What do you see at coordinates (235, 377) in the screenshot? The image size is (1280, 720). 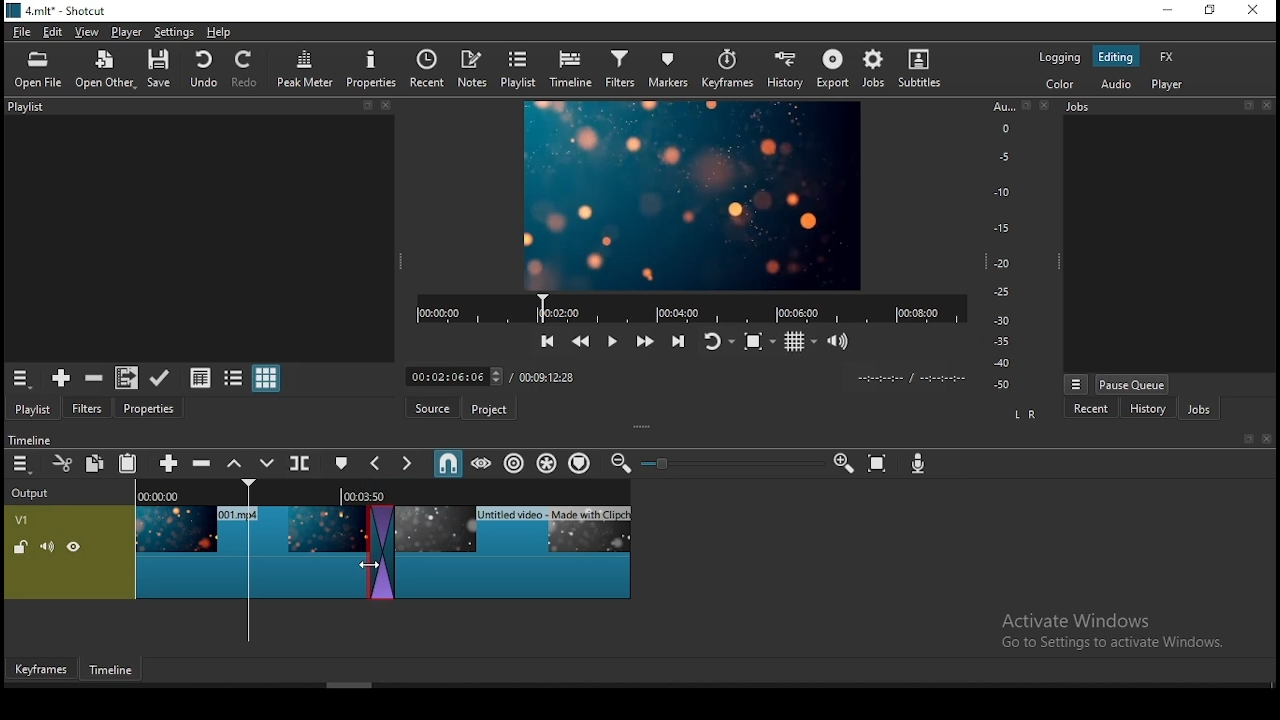 I see `view as list` at bounding box center [235, 377].